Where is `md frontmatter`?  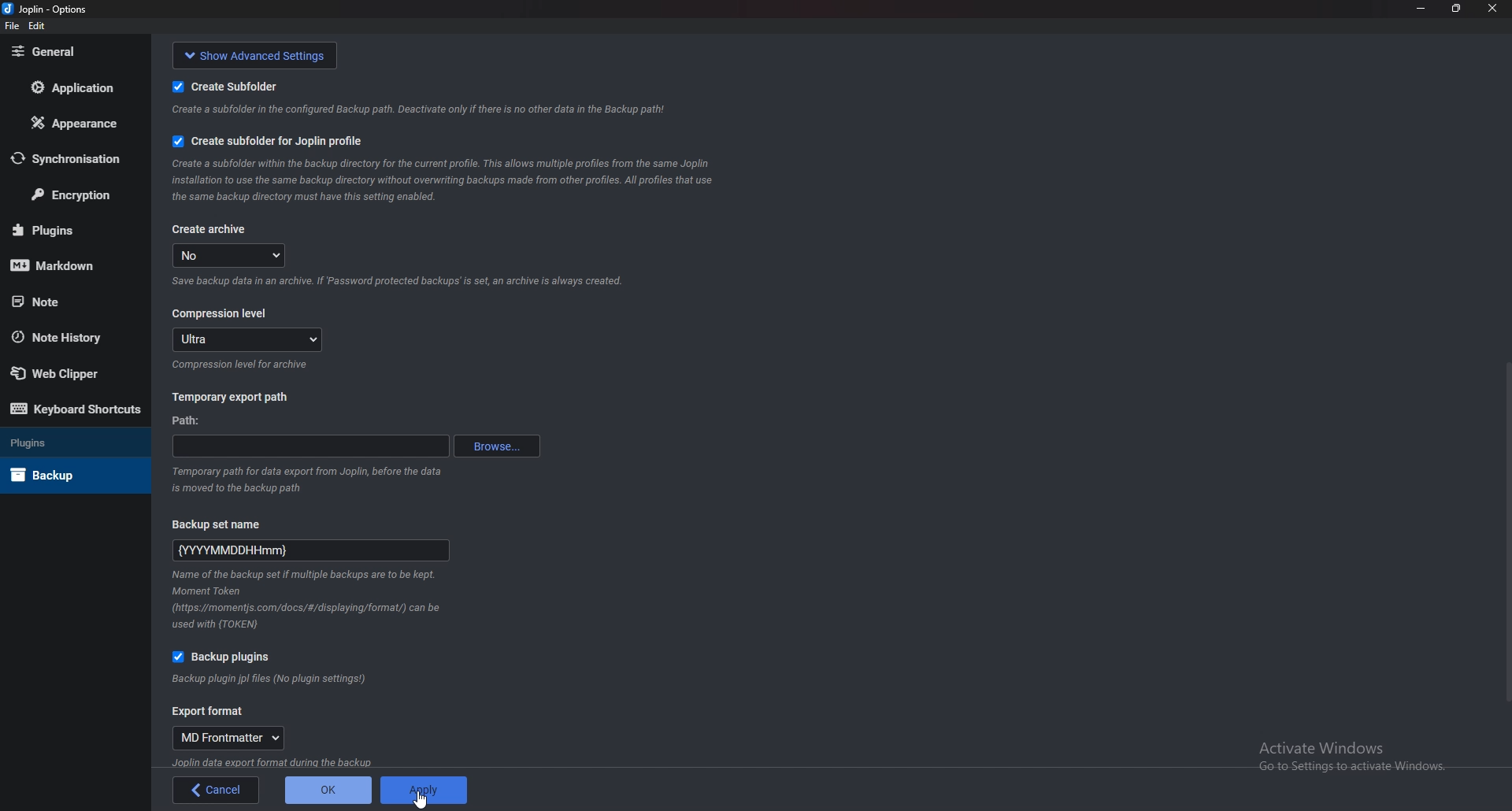 md frontmatter is located at coordinates (232, 739).